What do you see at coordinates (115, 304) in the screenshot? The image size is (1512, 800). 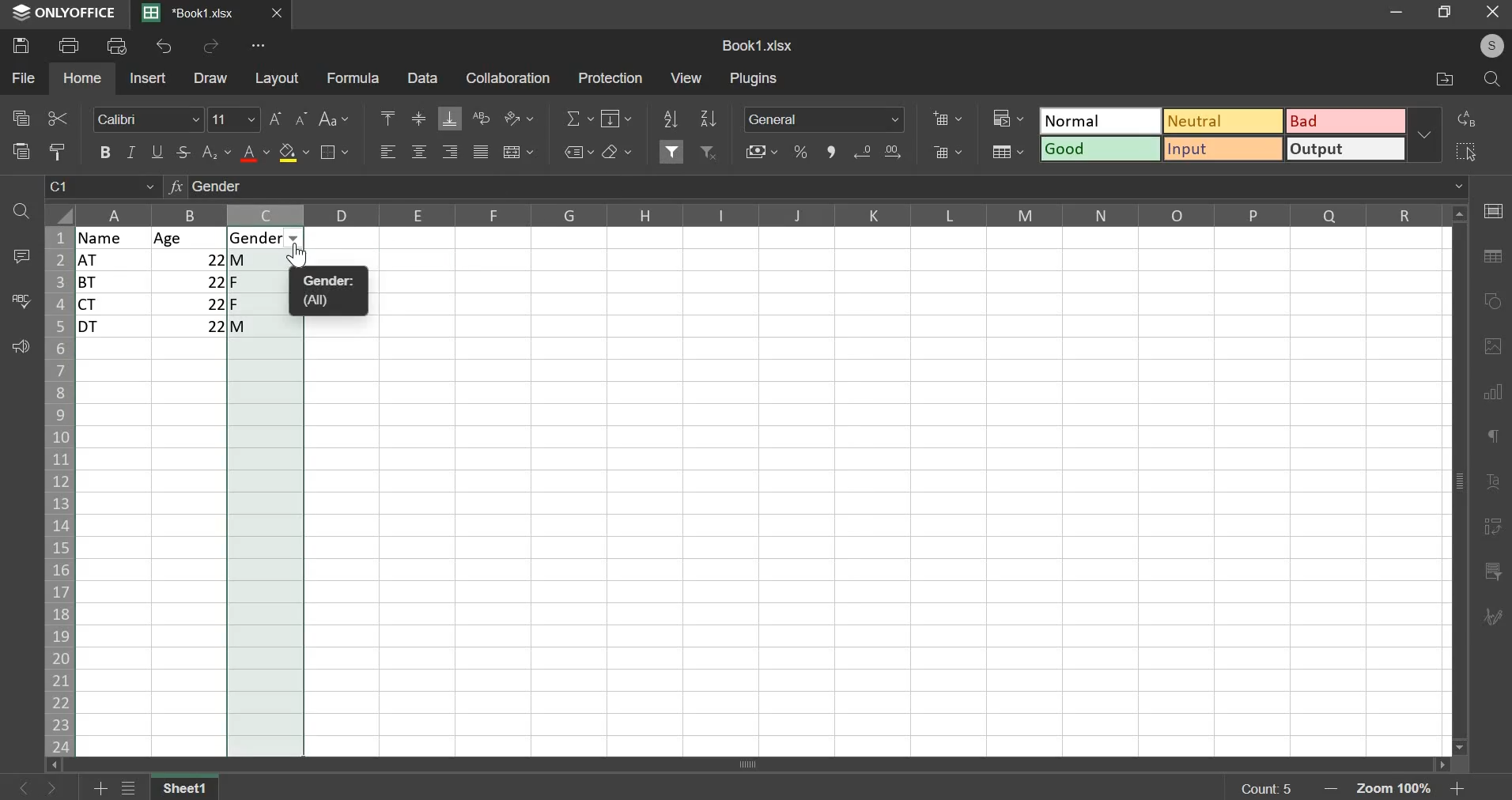 I see `ct` at bounding box center [115, 304].